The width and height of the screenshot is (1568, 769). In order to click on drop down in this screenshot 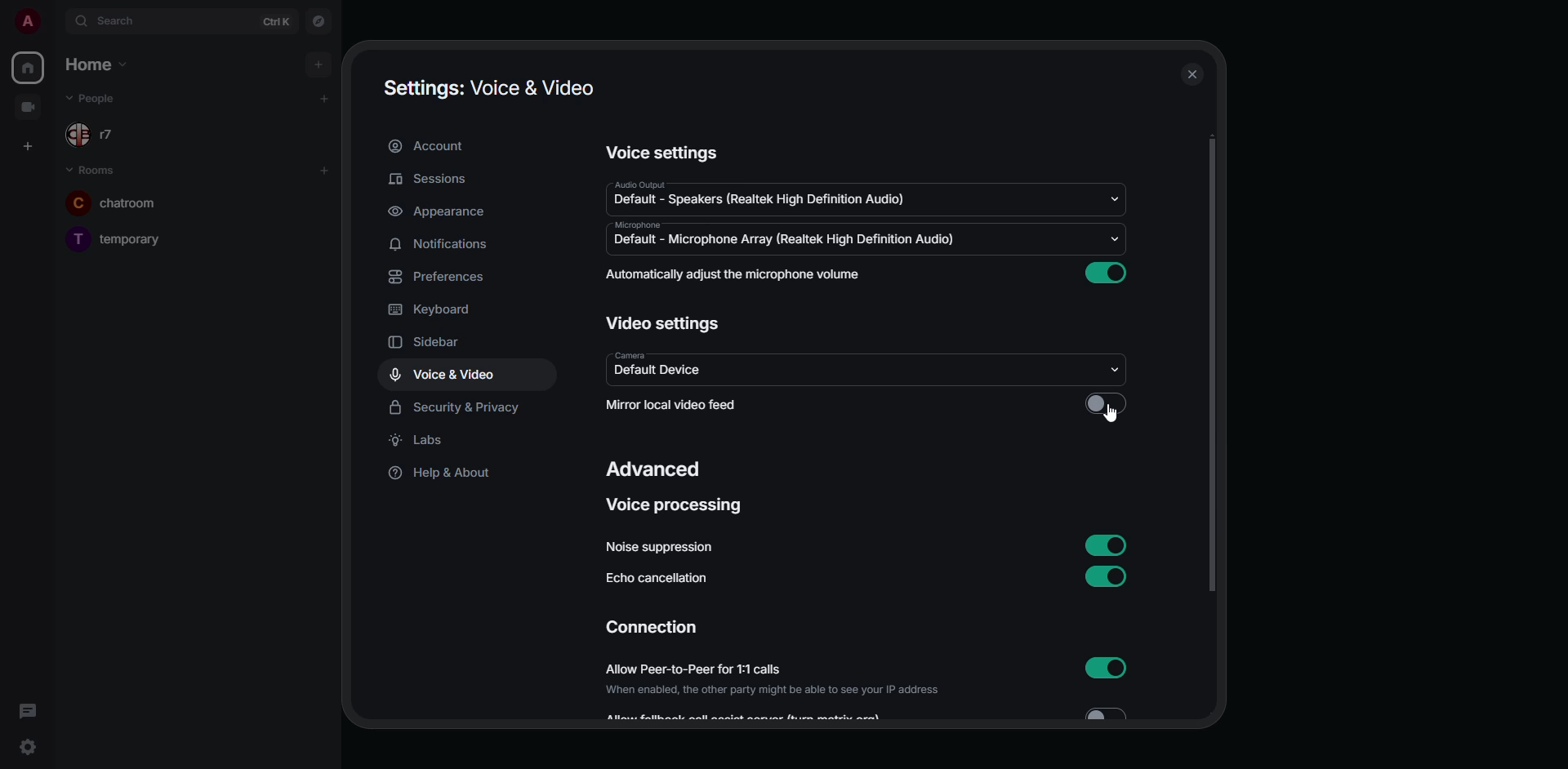, I will do `click(1114, 239)`.